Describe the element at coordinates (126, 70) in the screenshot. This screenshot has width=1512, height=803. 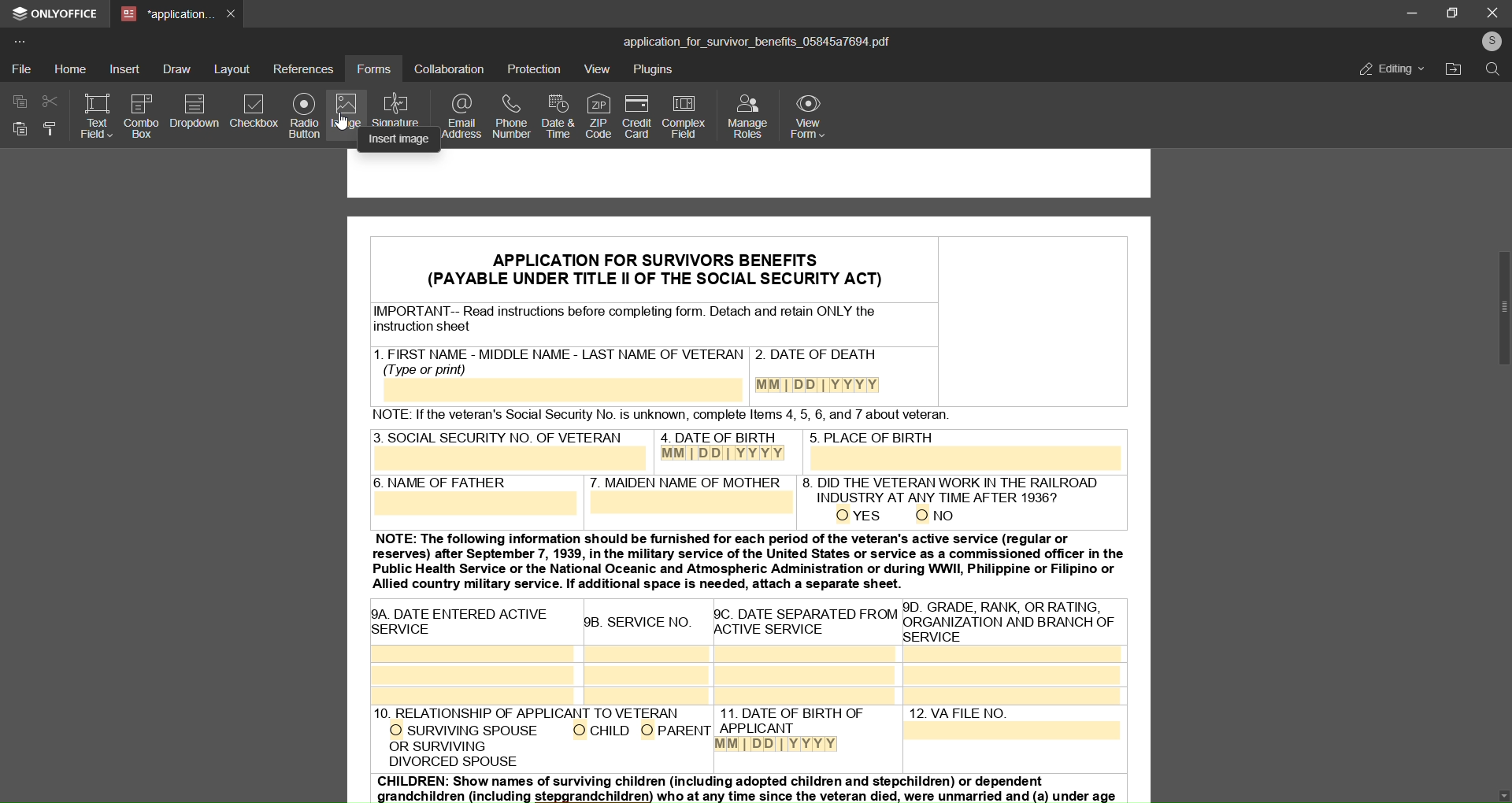
I see `insert` at that location.